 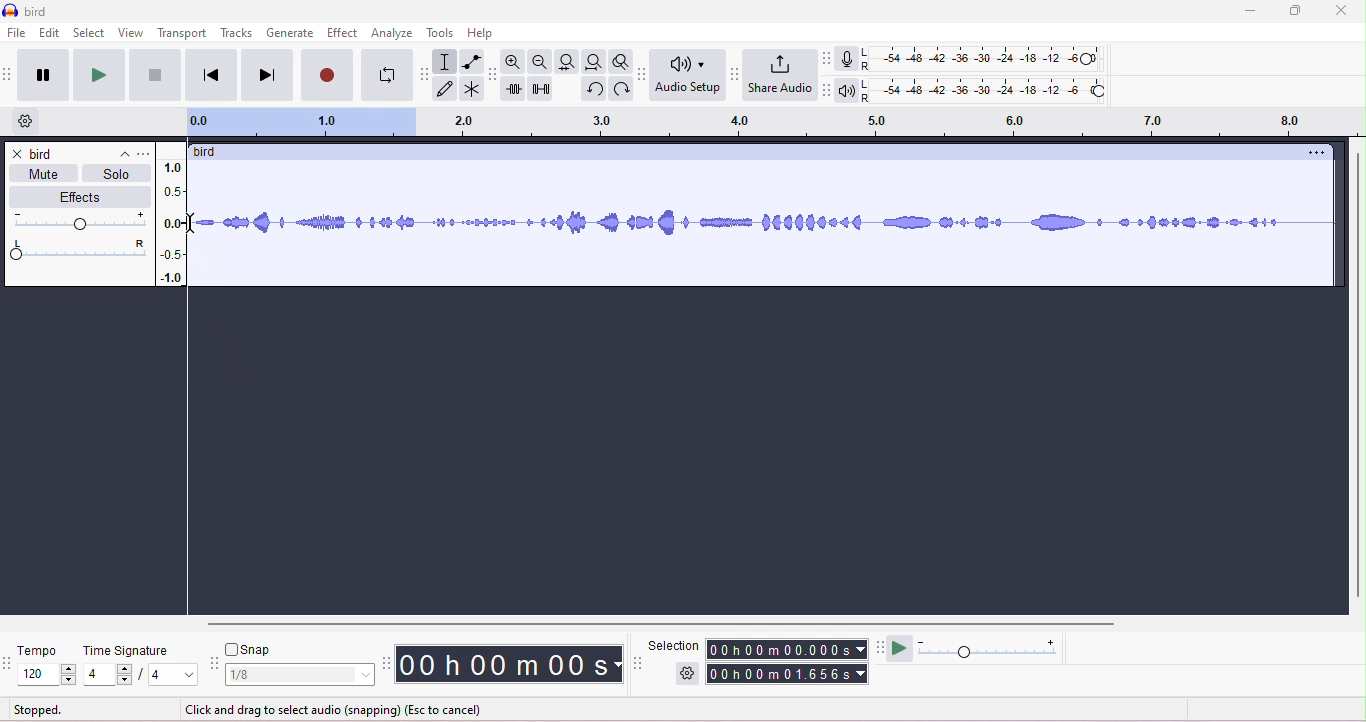 I want to click on selection, so click(x=446, y=62).